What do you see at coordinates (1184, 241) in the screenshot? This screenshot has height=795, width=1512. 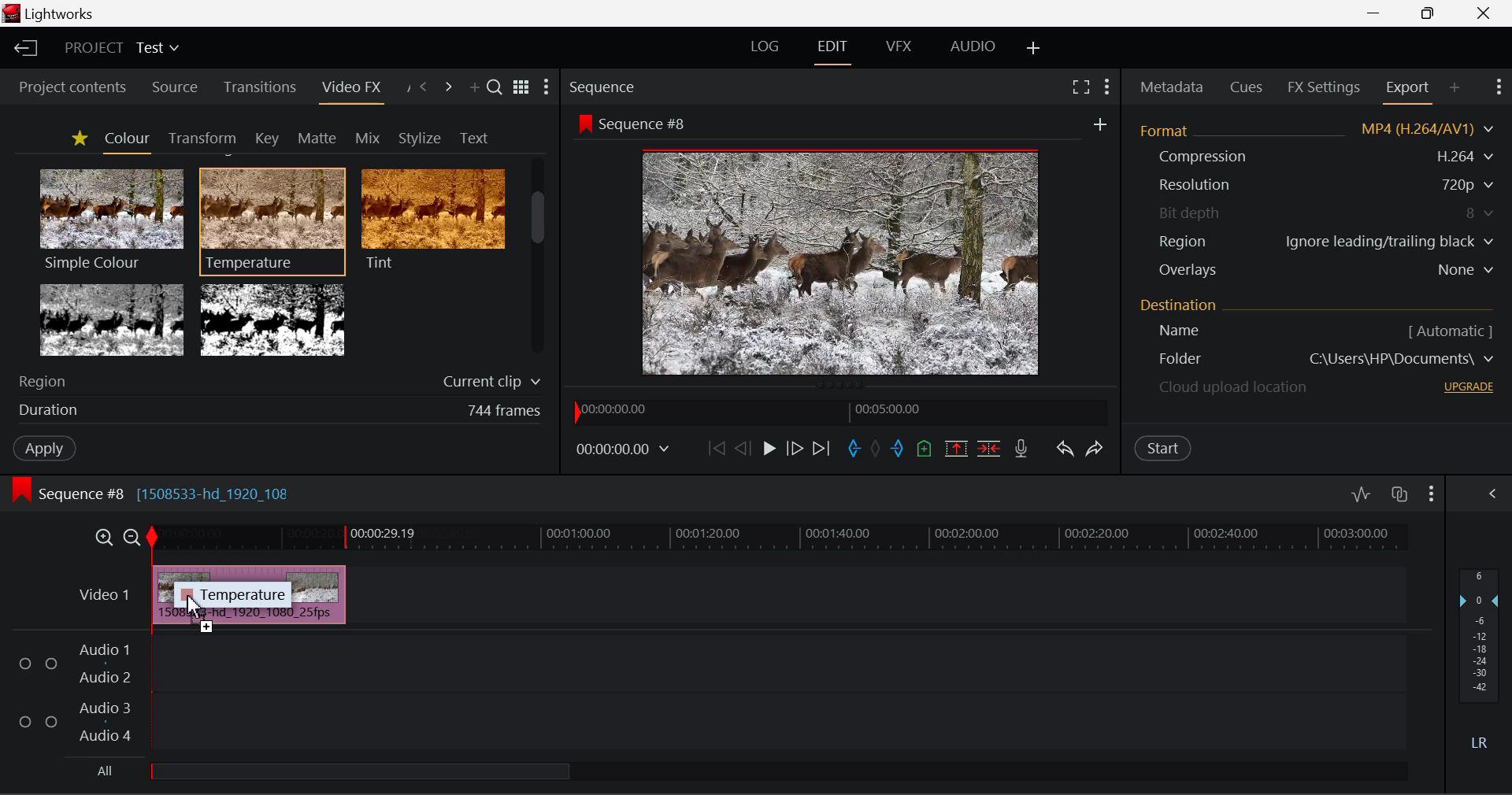 I see `Region` at bounding box center [1184, 241].